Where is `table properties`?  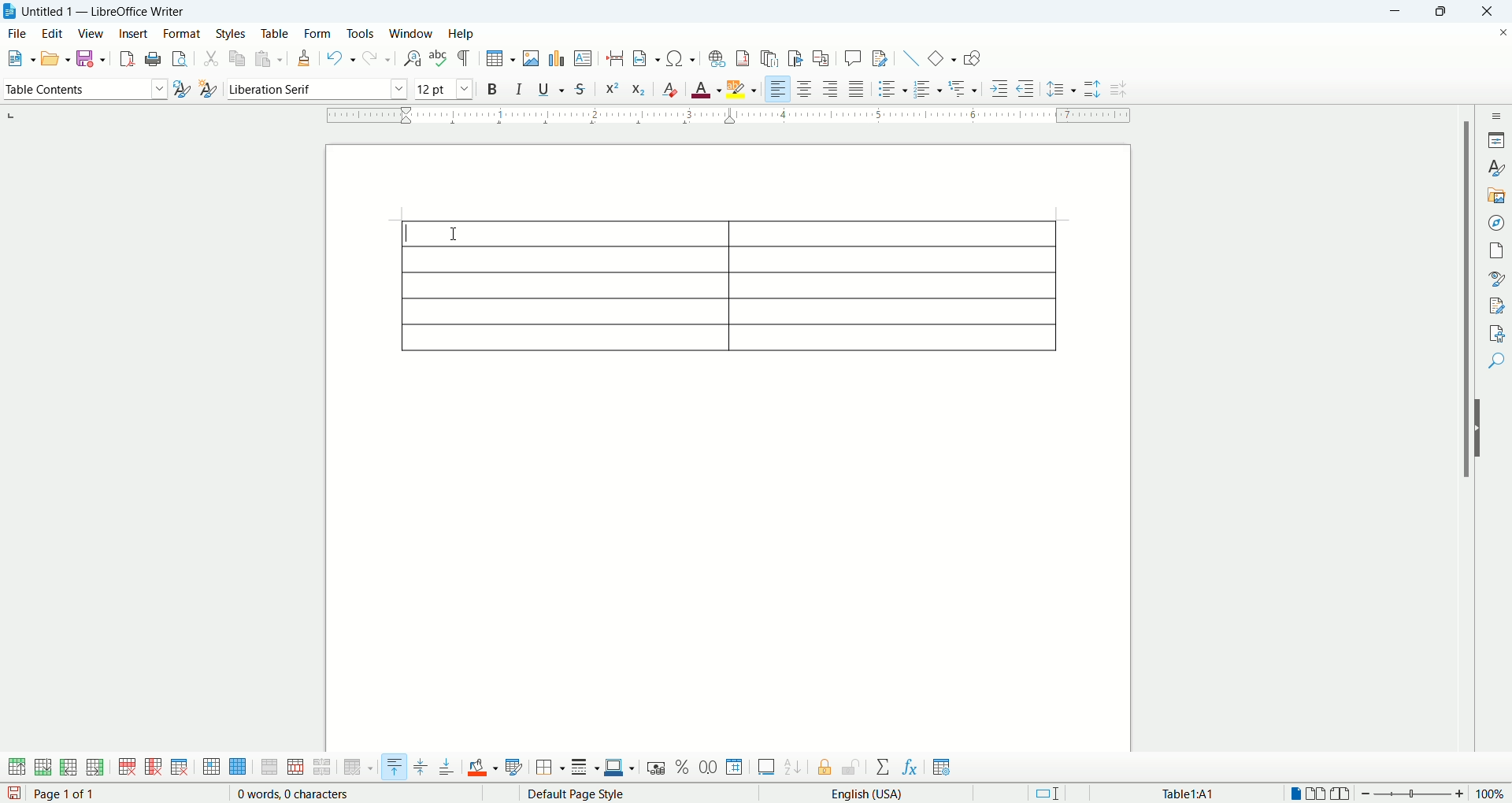
table properties is located at coordinates (942, 768).